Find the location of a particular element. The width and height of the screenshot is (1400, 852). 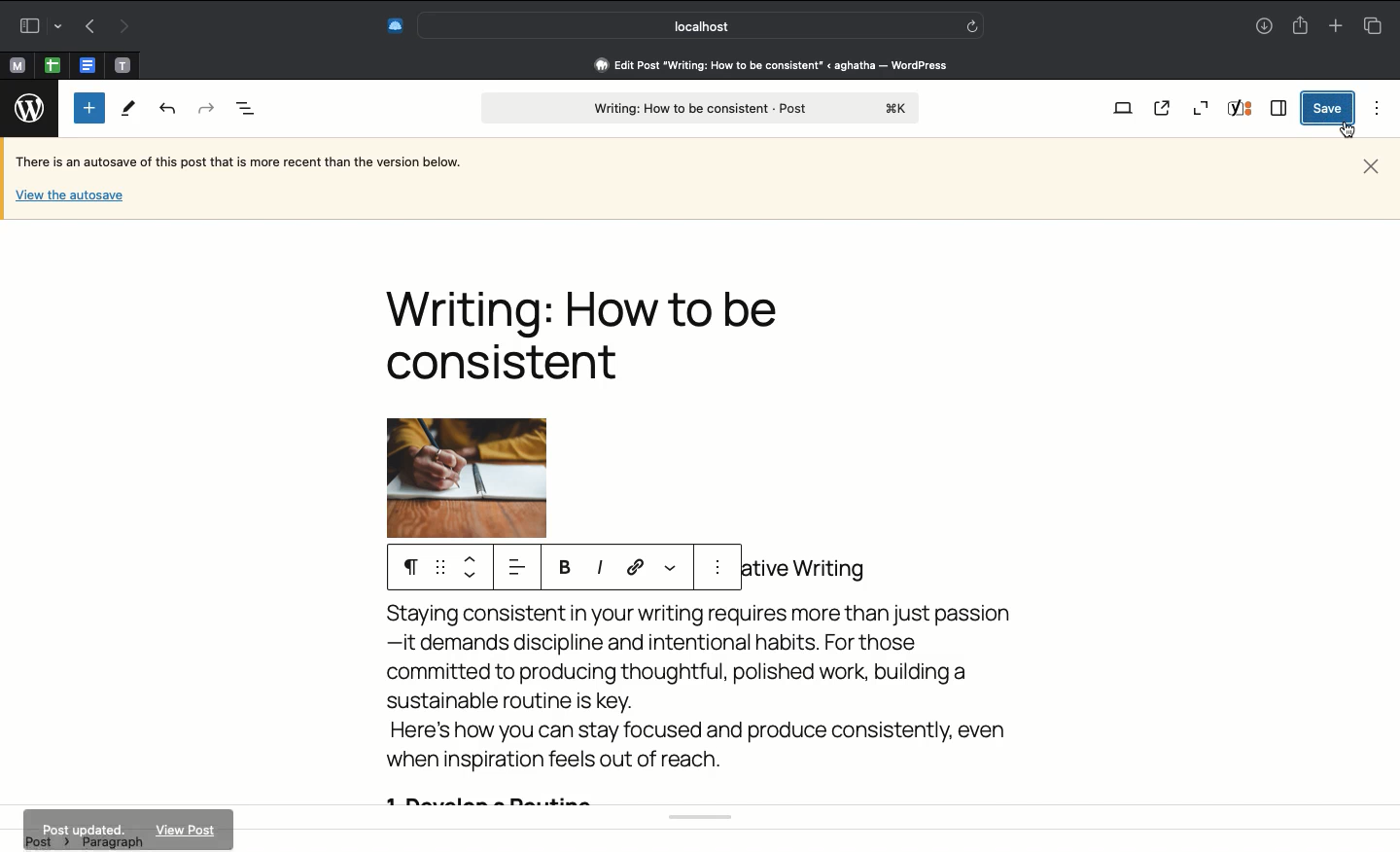

Sidebar is located at coordinates (1279, 108).